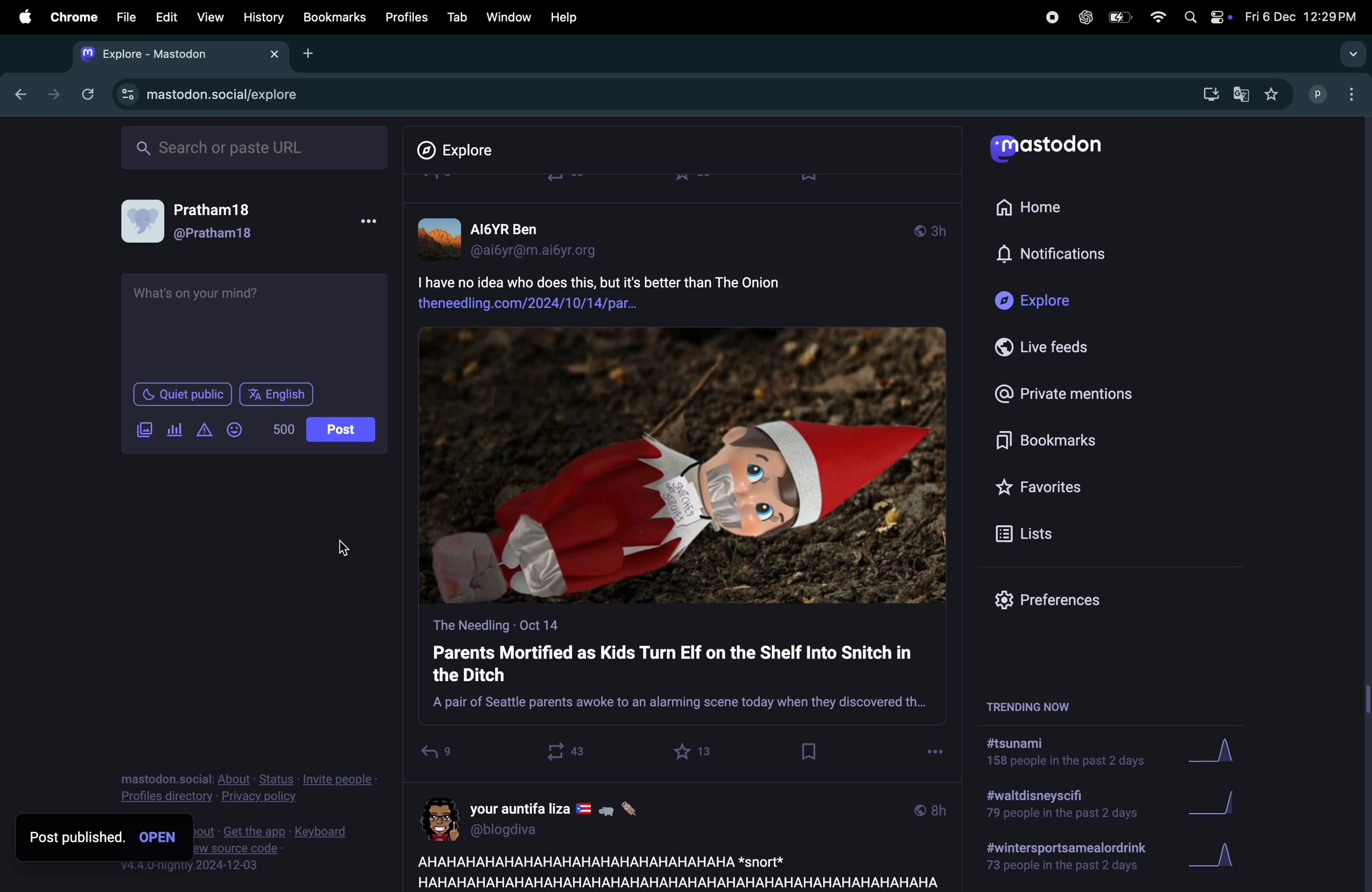 This screenshot has width=1372, height=892. I want to click on reply, so click(436, 755).